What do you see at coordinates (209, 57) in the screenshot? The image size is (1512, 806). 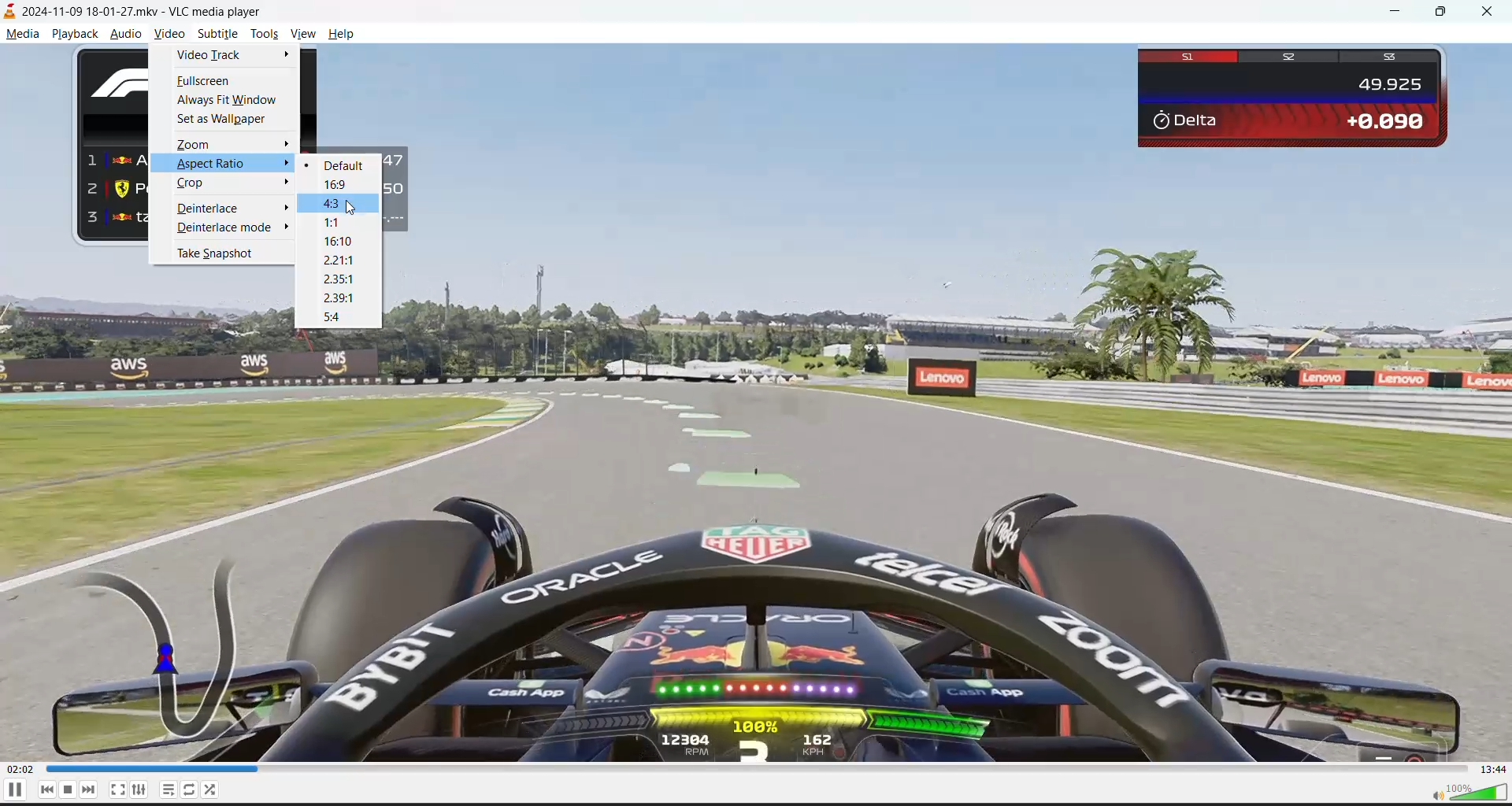 I see `video track` at bounding box center [209, 57].